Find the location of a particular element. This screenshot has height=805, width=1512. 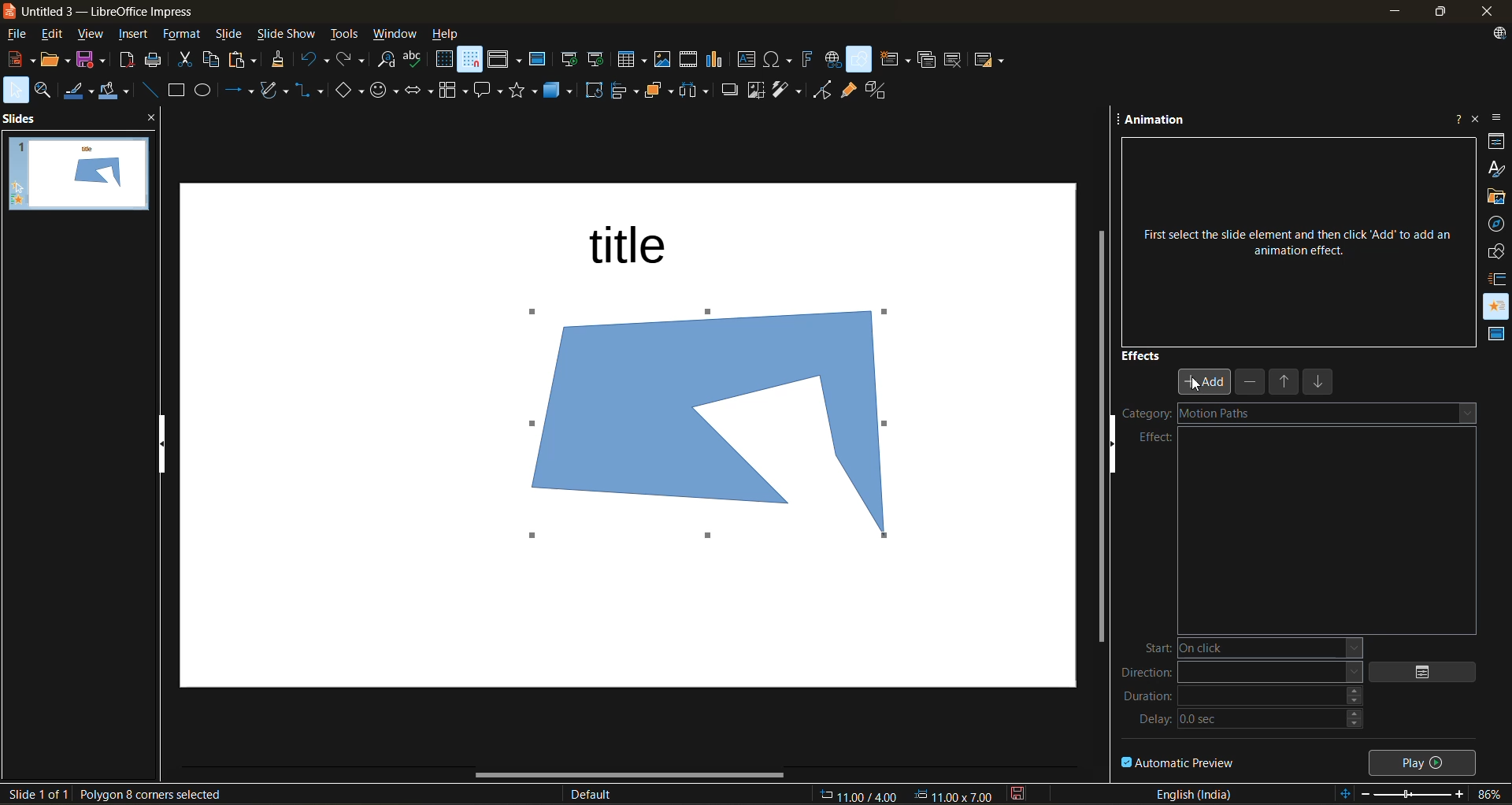

motion paths is located at coordinates (1221, 414).